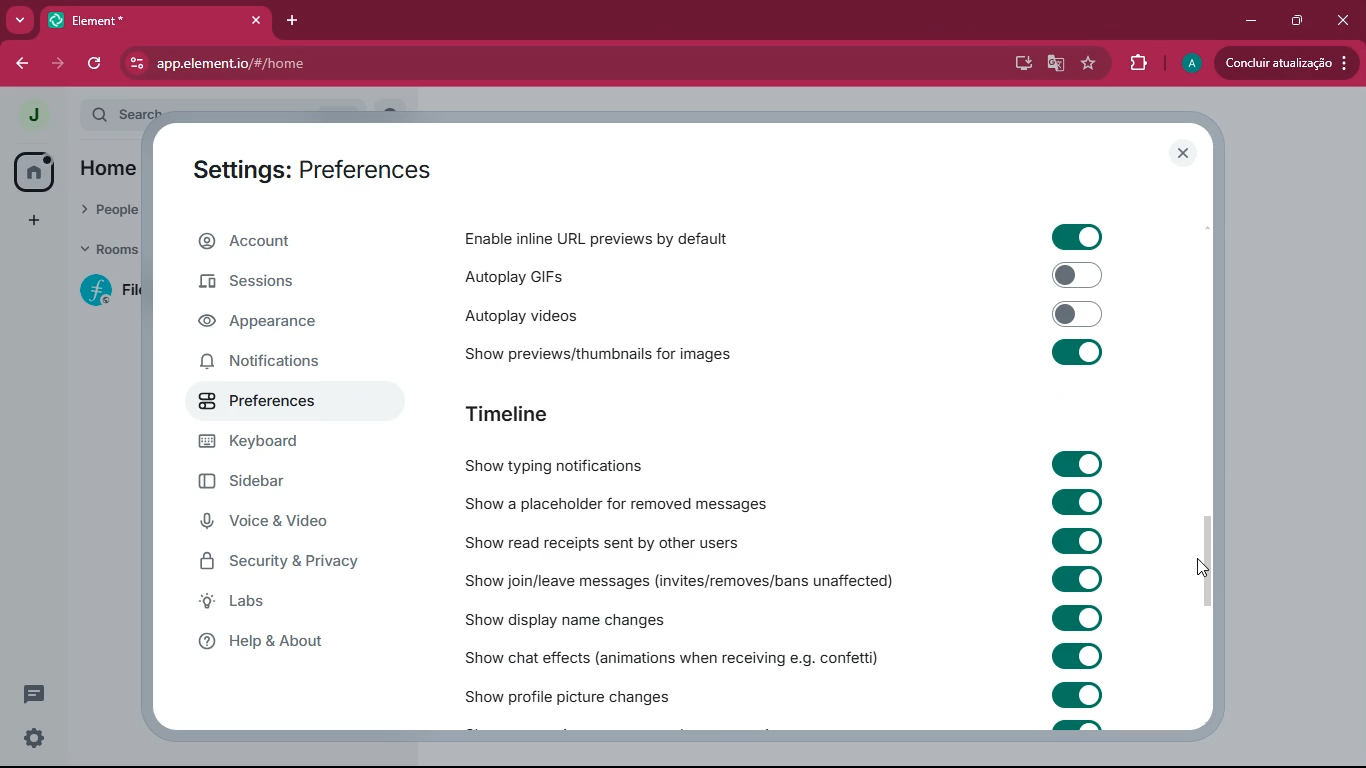  Describe the element at coordinates (587, 619) in the screenshot. I see `show display name changes` at that location.